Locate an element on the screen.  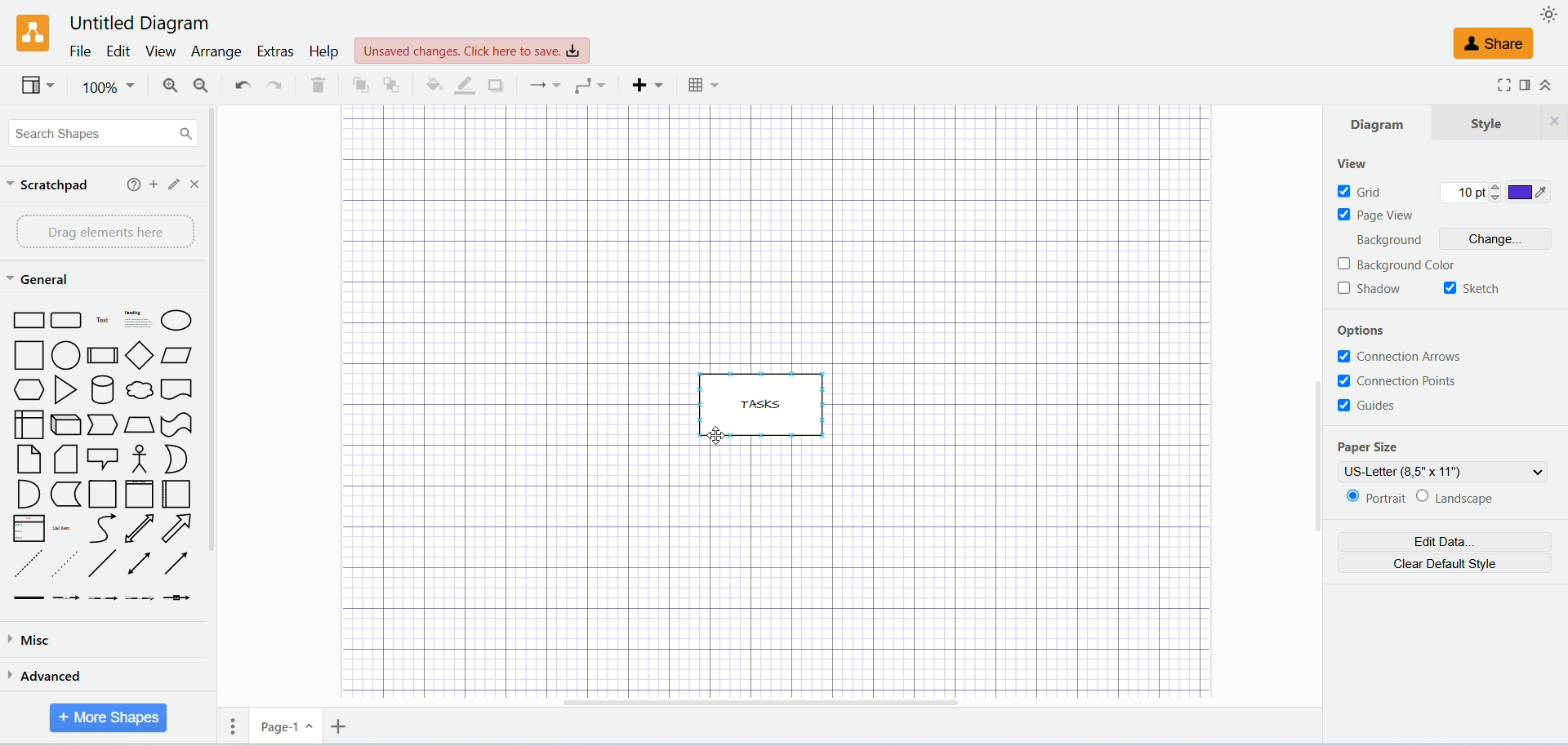
to back is located at coordinates (392, 83).